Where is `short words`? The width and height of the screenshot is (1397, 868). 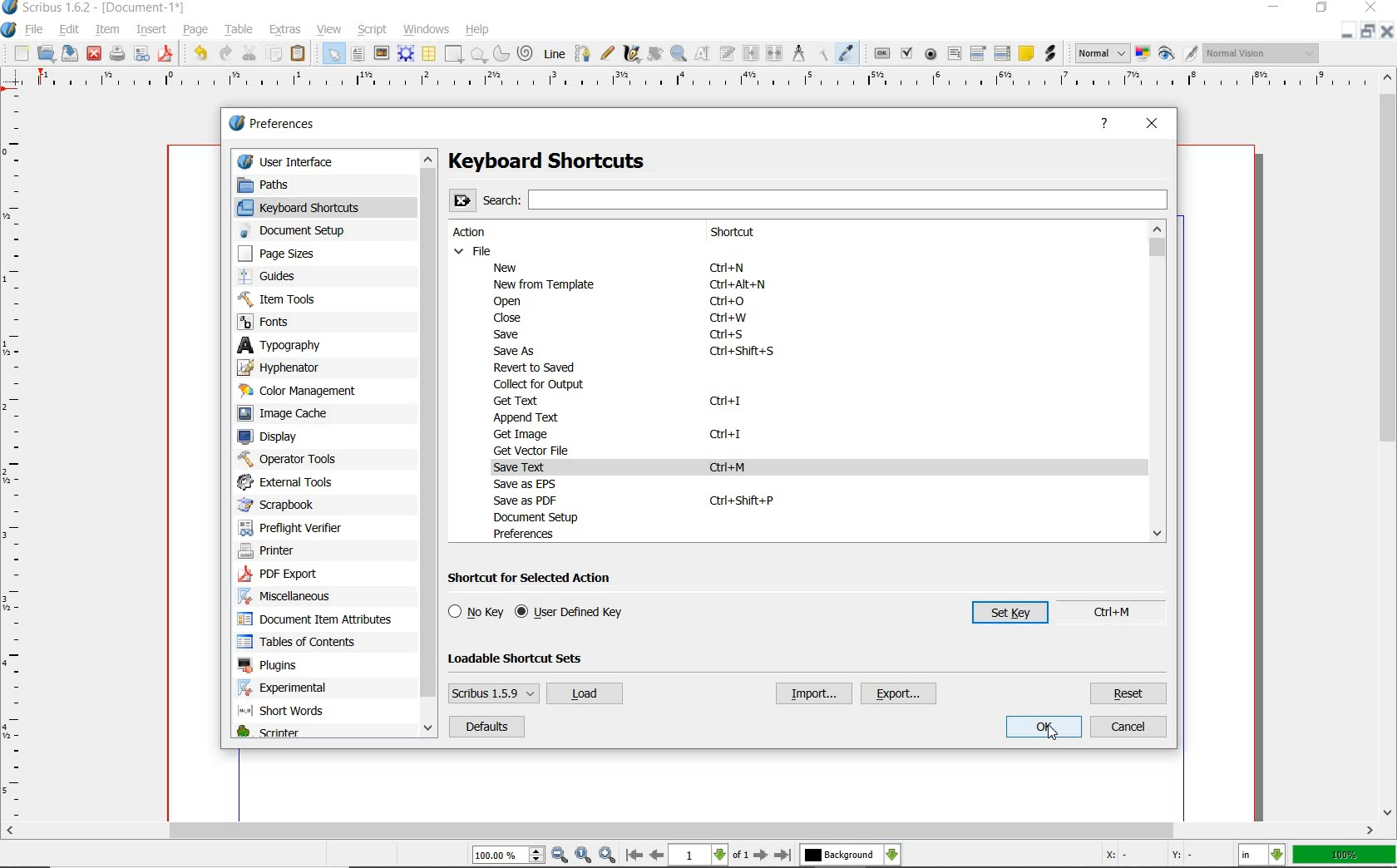 short words is located at coordinates (286, 713).